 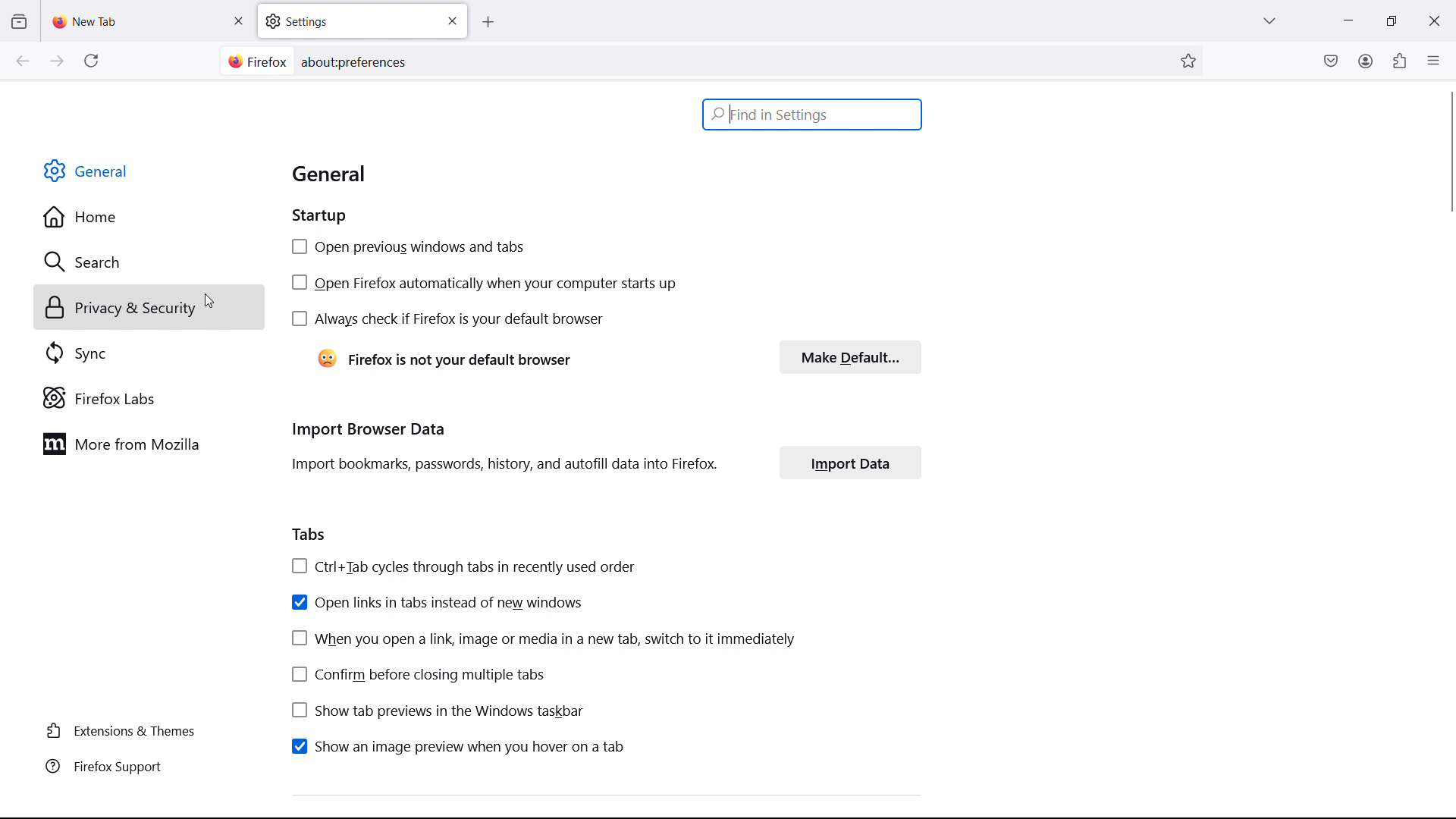 What do you see at coordinates (149, 398) in the screenshot?
I see `firefox labs` at bounding box center [149, 398].